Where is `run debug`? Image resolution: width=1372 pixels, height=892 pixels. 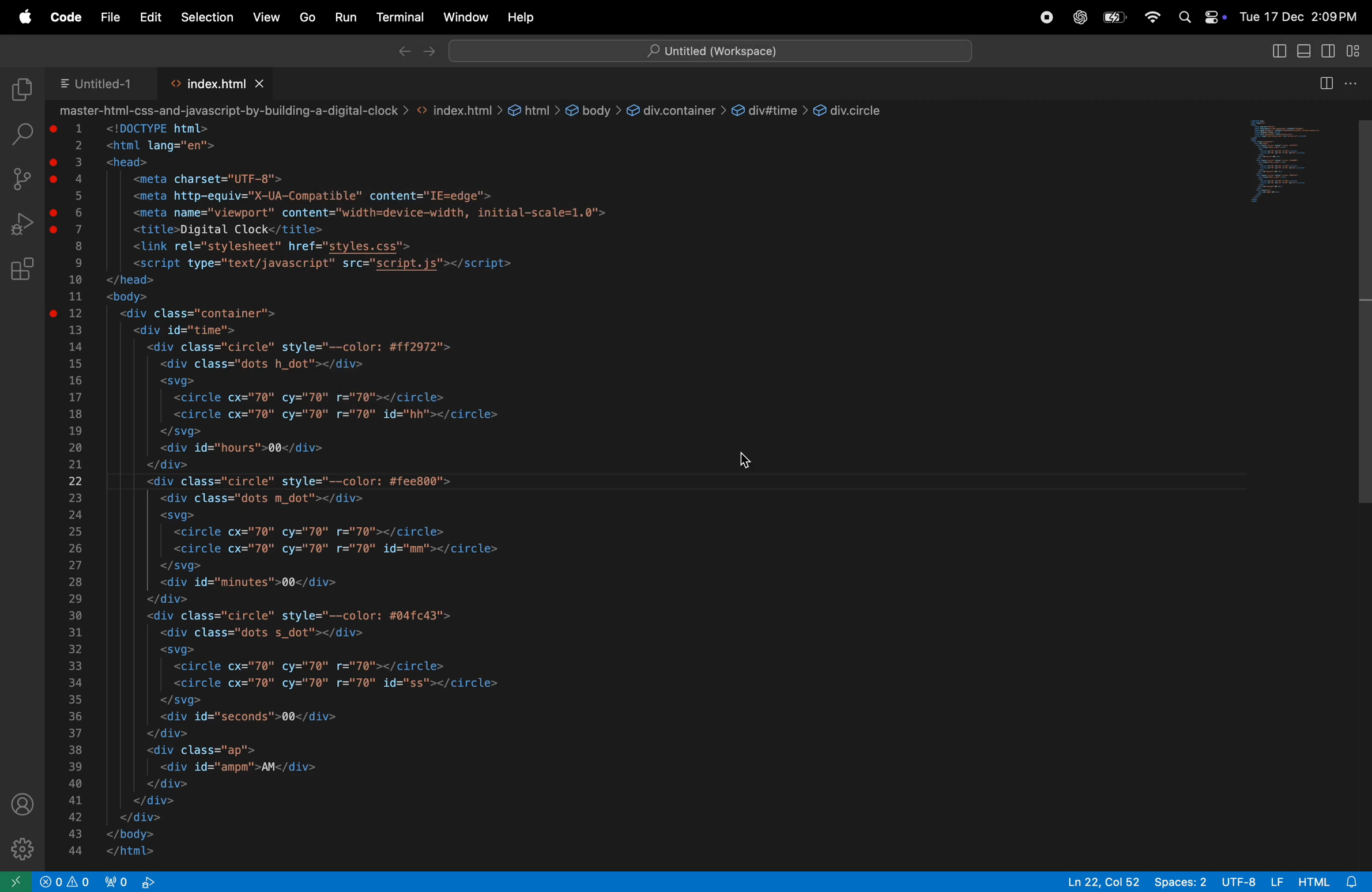
run debug is located at coordinates (21, 224).